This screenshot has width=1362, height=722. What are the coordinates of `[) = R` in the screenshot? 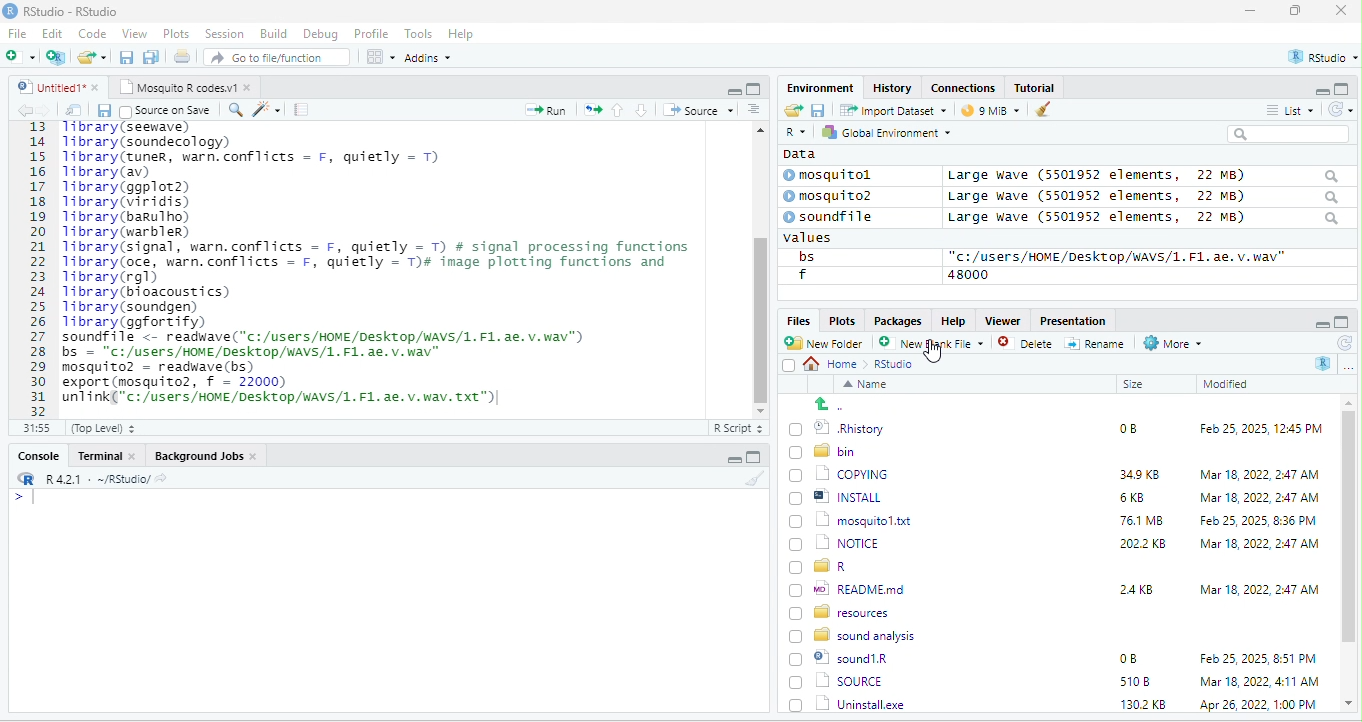 It's located at (830, 567).